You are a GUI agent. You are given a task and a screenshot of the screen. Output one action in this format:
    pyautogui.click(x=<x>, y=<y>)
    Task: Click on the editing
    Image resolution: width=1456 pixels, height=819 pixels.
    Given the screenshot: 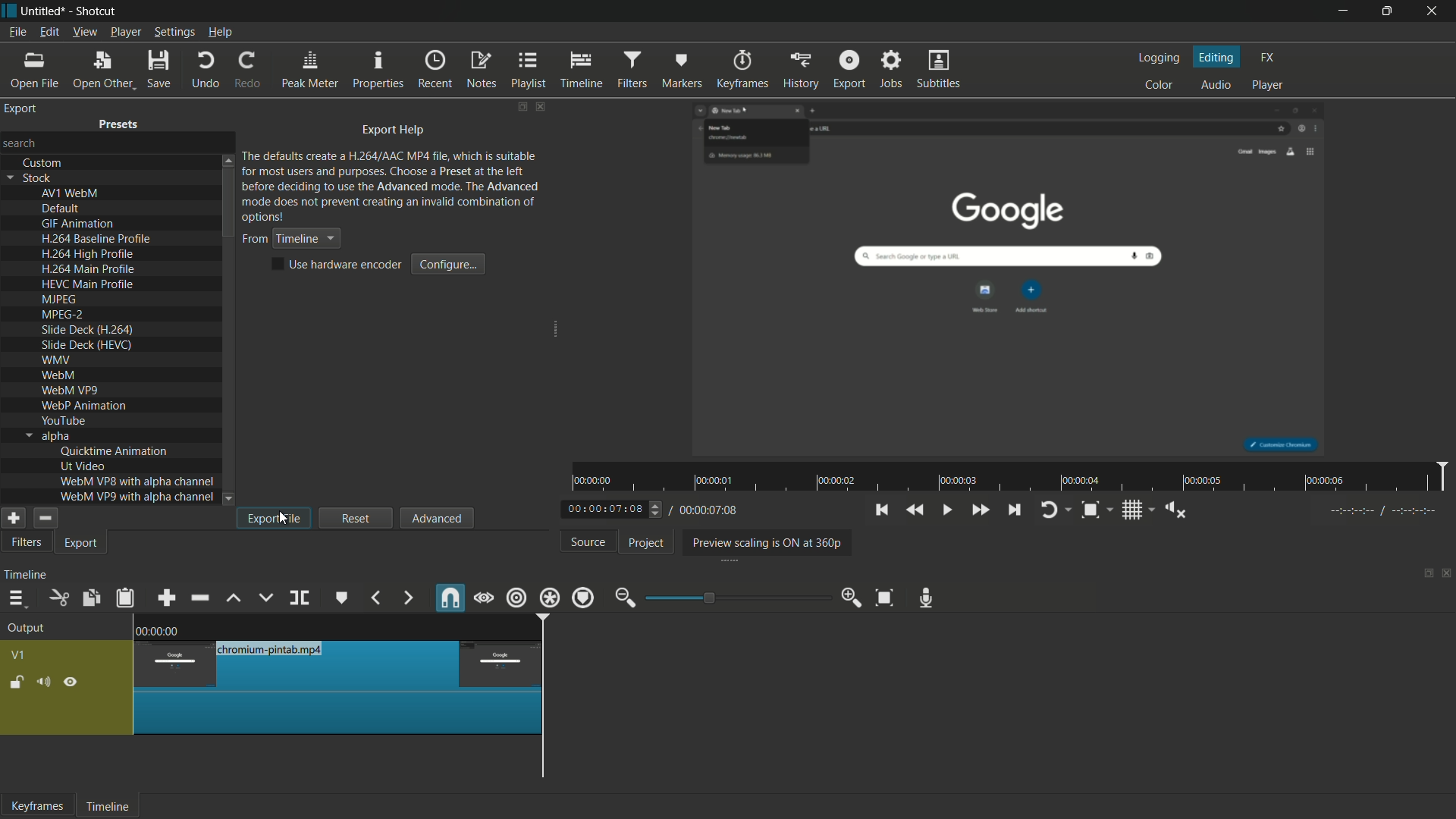 What is the action you would take?
    pyautogui.click(x=1218, y=58)
    